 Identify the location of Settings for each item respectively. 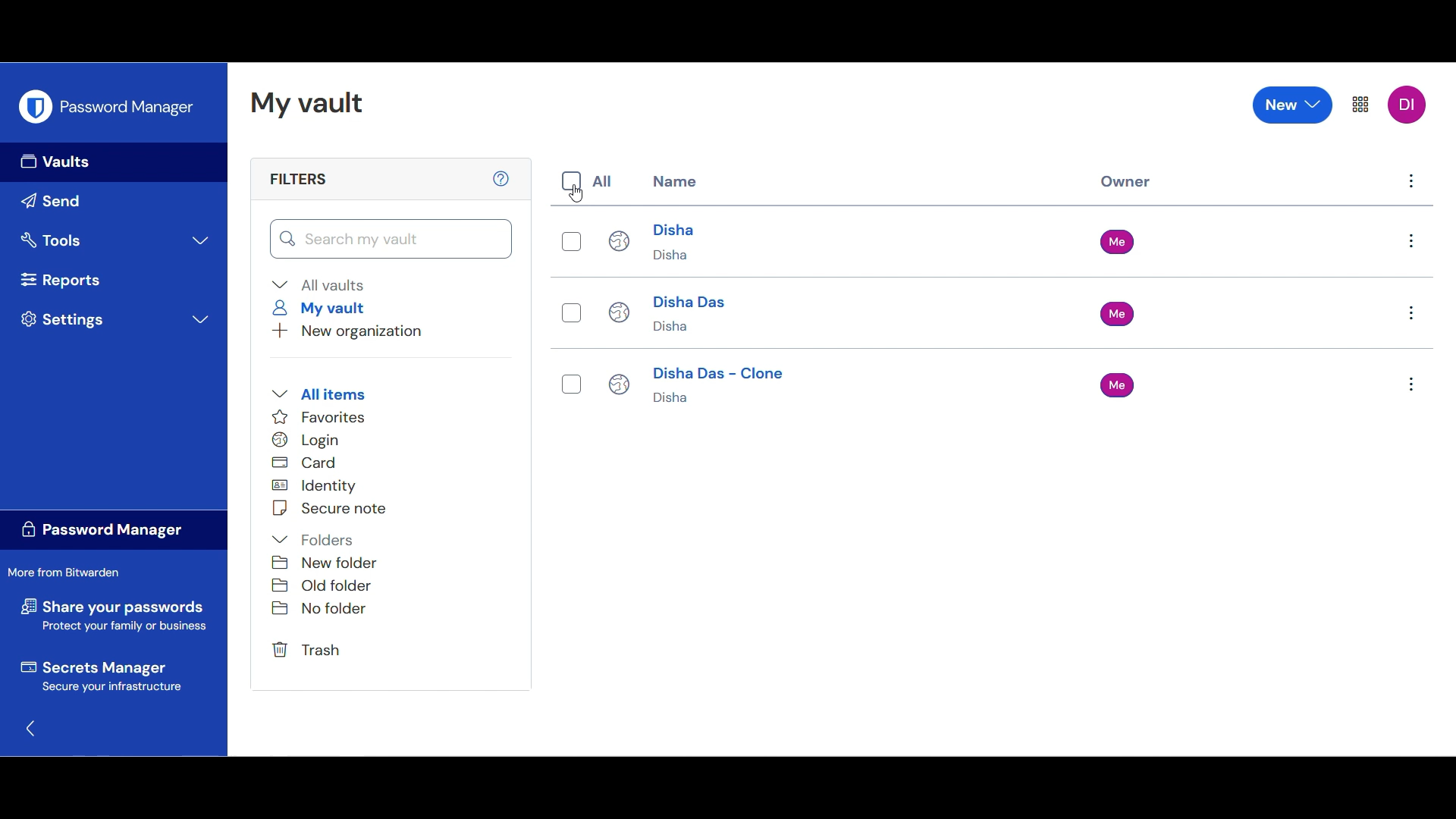
(1410, 387).